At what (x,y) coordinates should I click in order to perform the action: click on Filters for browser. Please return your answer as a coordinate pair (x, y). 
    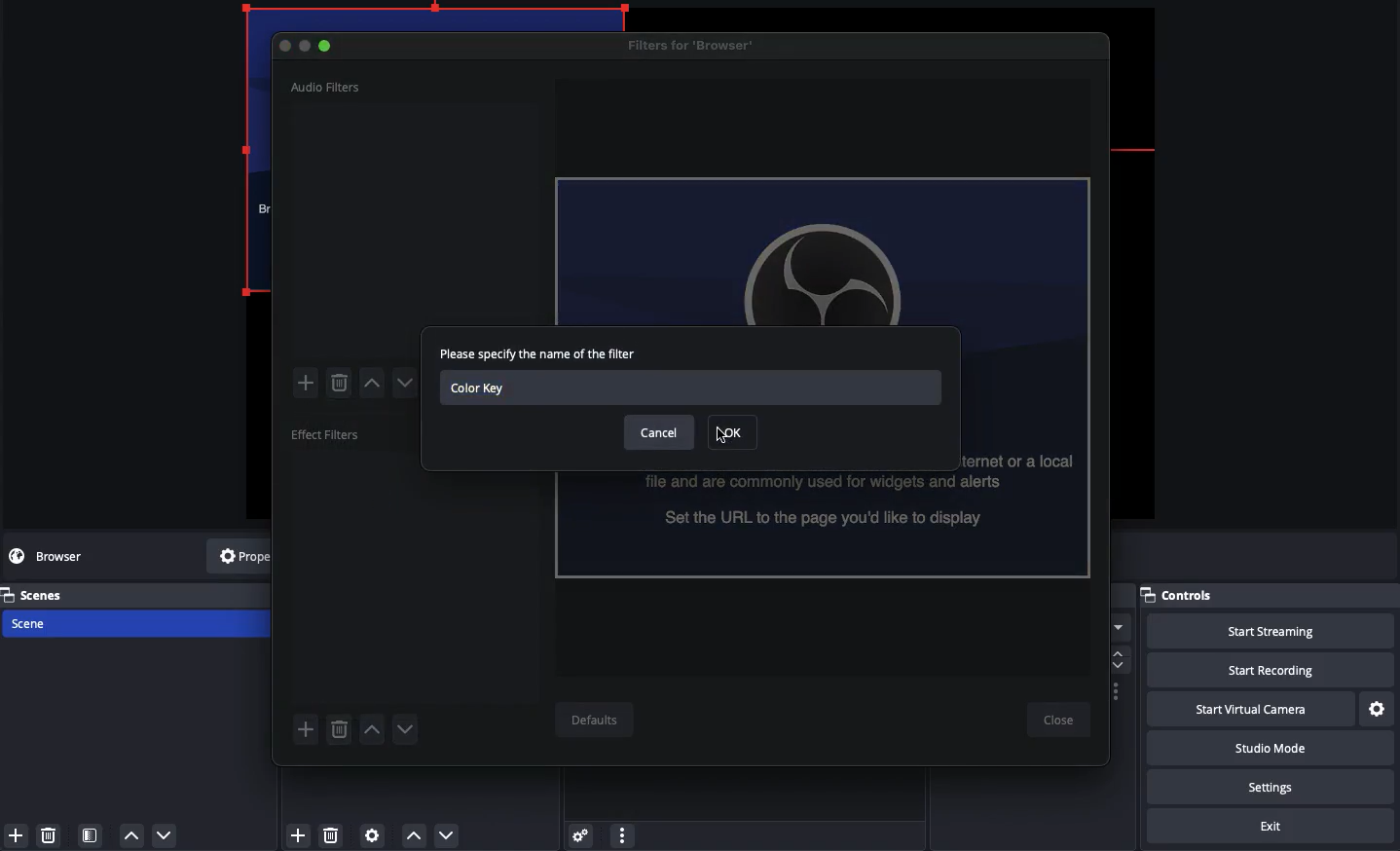
    Looking at the image, I should click on (696, 45).